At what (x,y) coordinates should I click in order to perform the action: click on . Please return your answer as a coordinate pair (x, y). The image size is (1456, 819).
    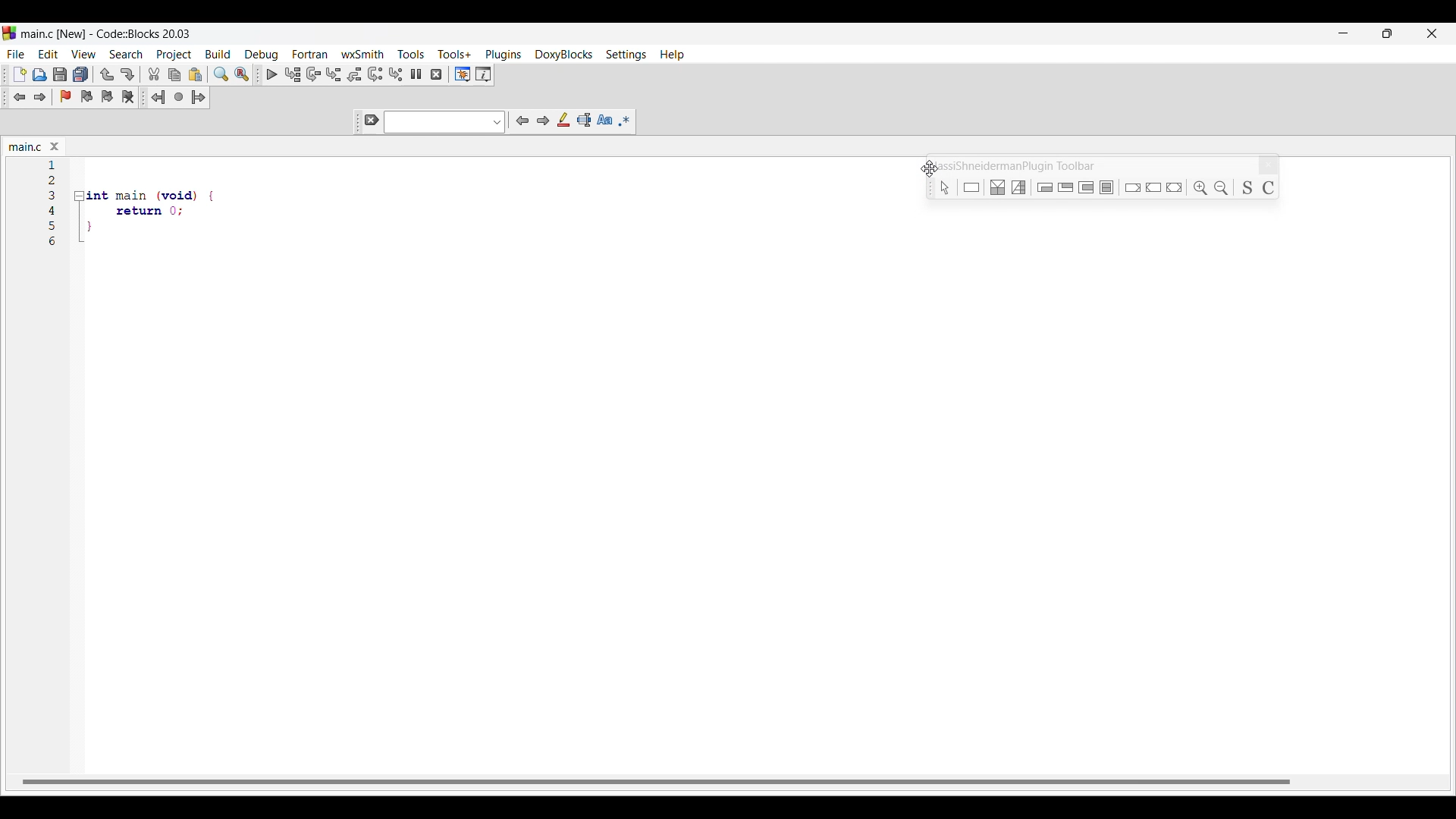
    Looking at the image, I should click on (1066, 188).